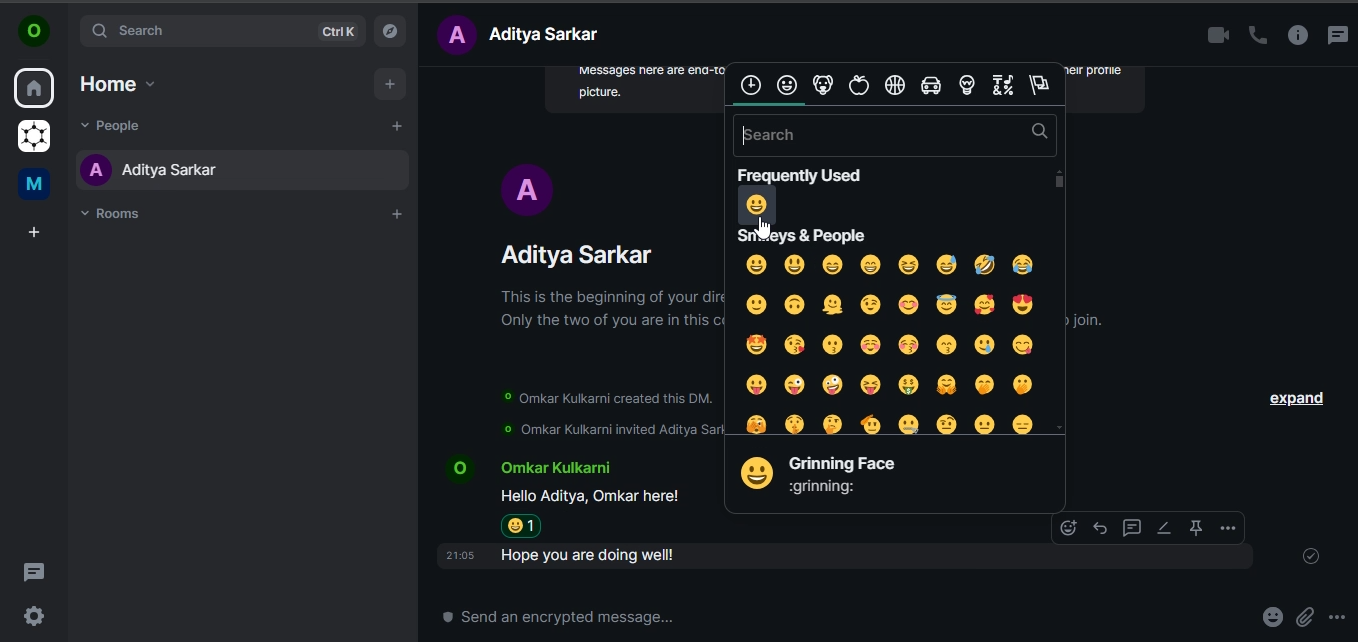  I want to click on Avatar, so click(527, 189).